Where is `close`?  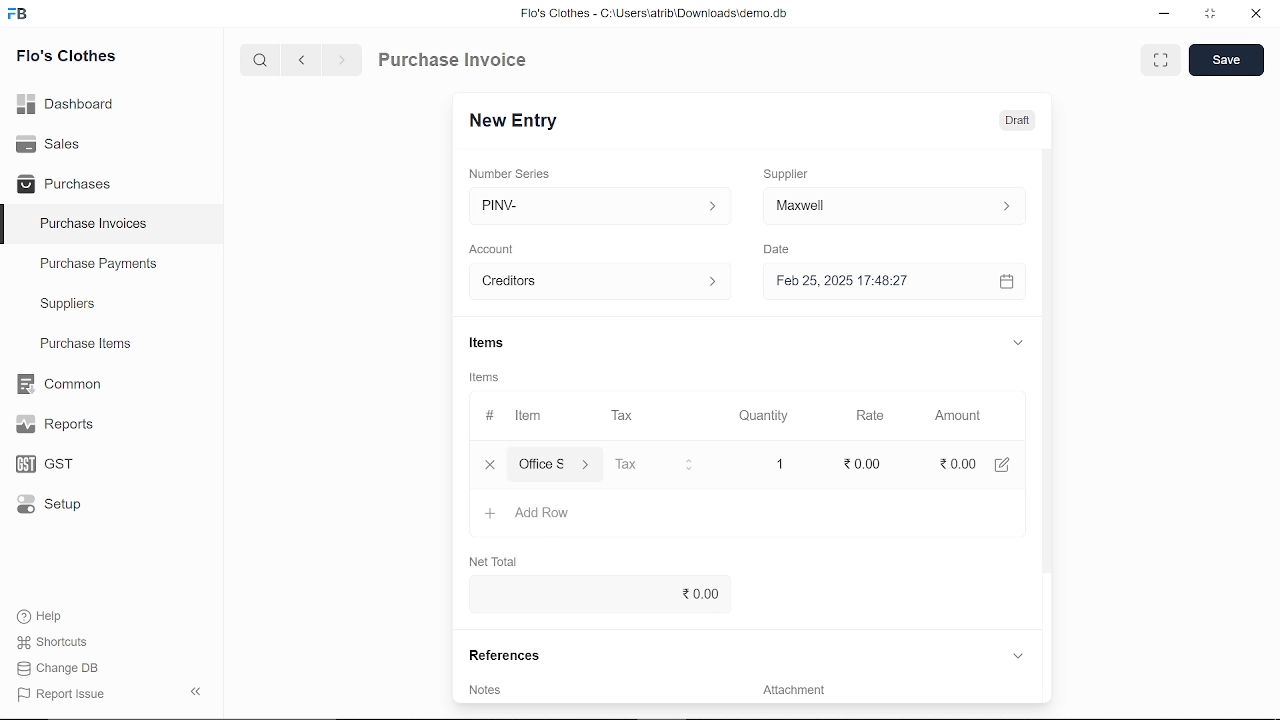
close is located at coordinates (486, 464).